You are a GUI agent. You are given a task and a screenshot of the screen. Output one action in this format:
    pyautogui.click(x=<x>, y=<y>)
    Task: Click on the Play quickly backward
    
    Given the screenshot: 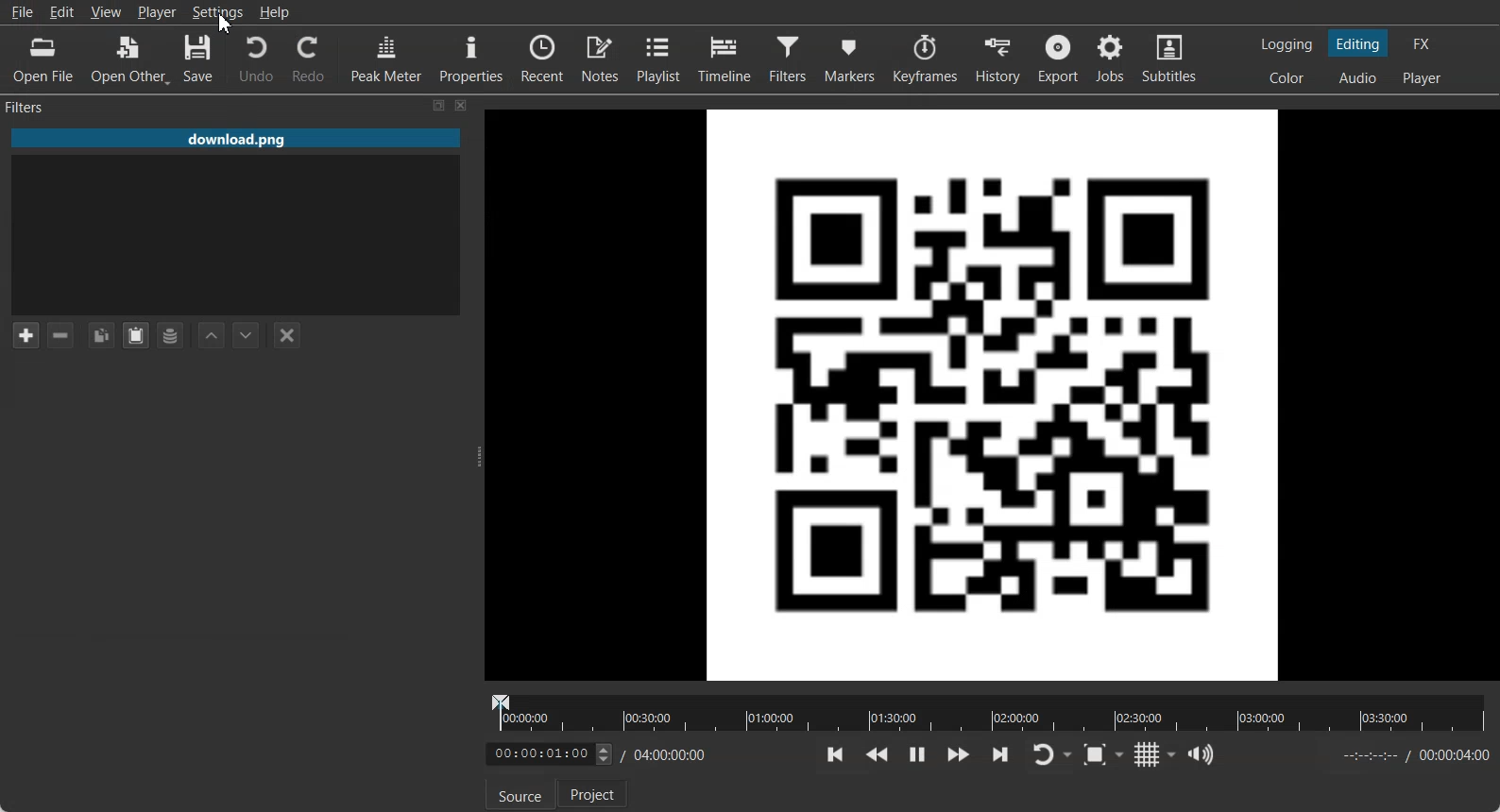 What is the action you would take?
    pyautogui.click(x=877, y=755)
    